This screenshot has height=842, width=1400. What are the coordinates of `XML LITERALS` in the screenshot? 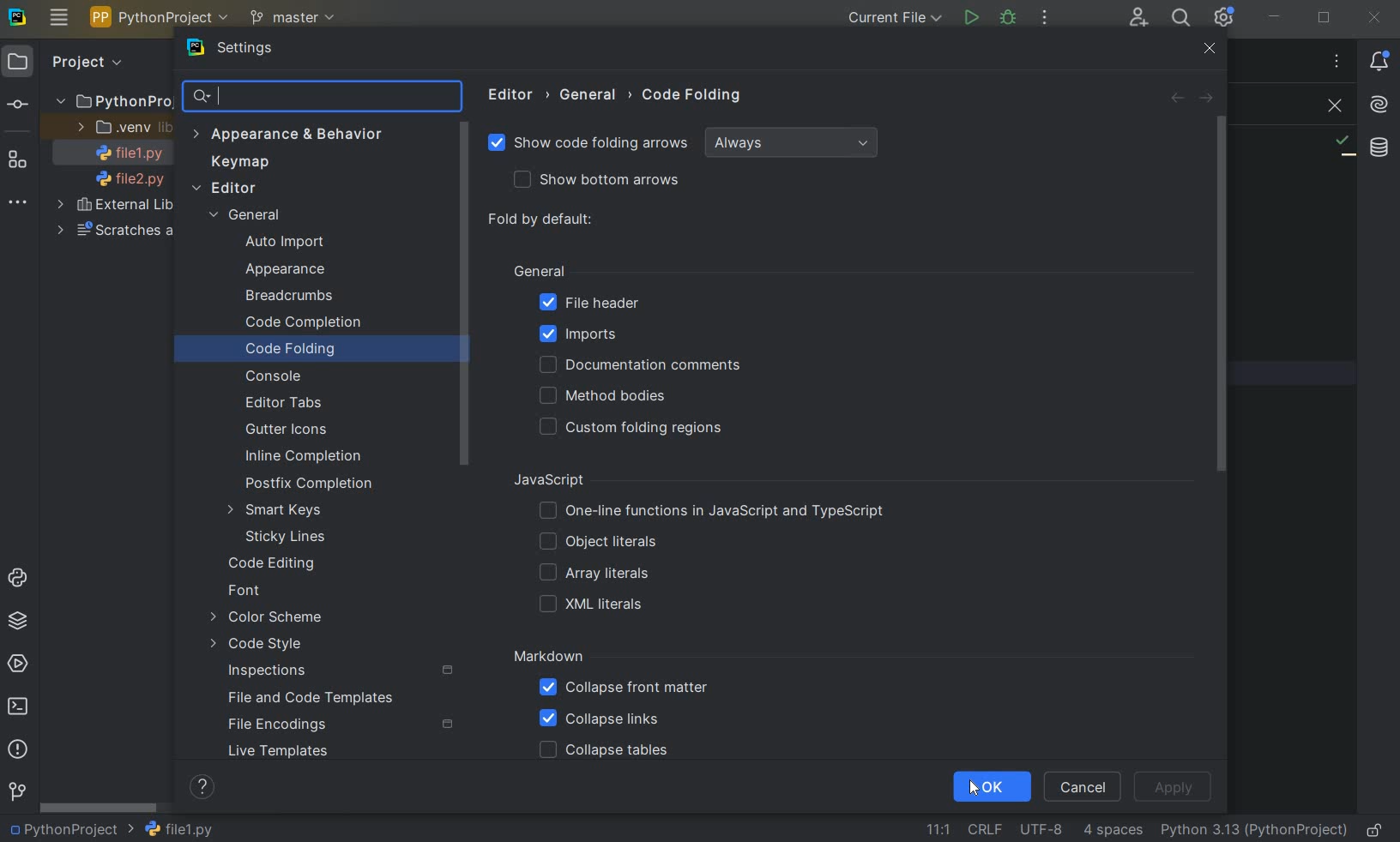 It's located at (594, 606).